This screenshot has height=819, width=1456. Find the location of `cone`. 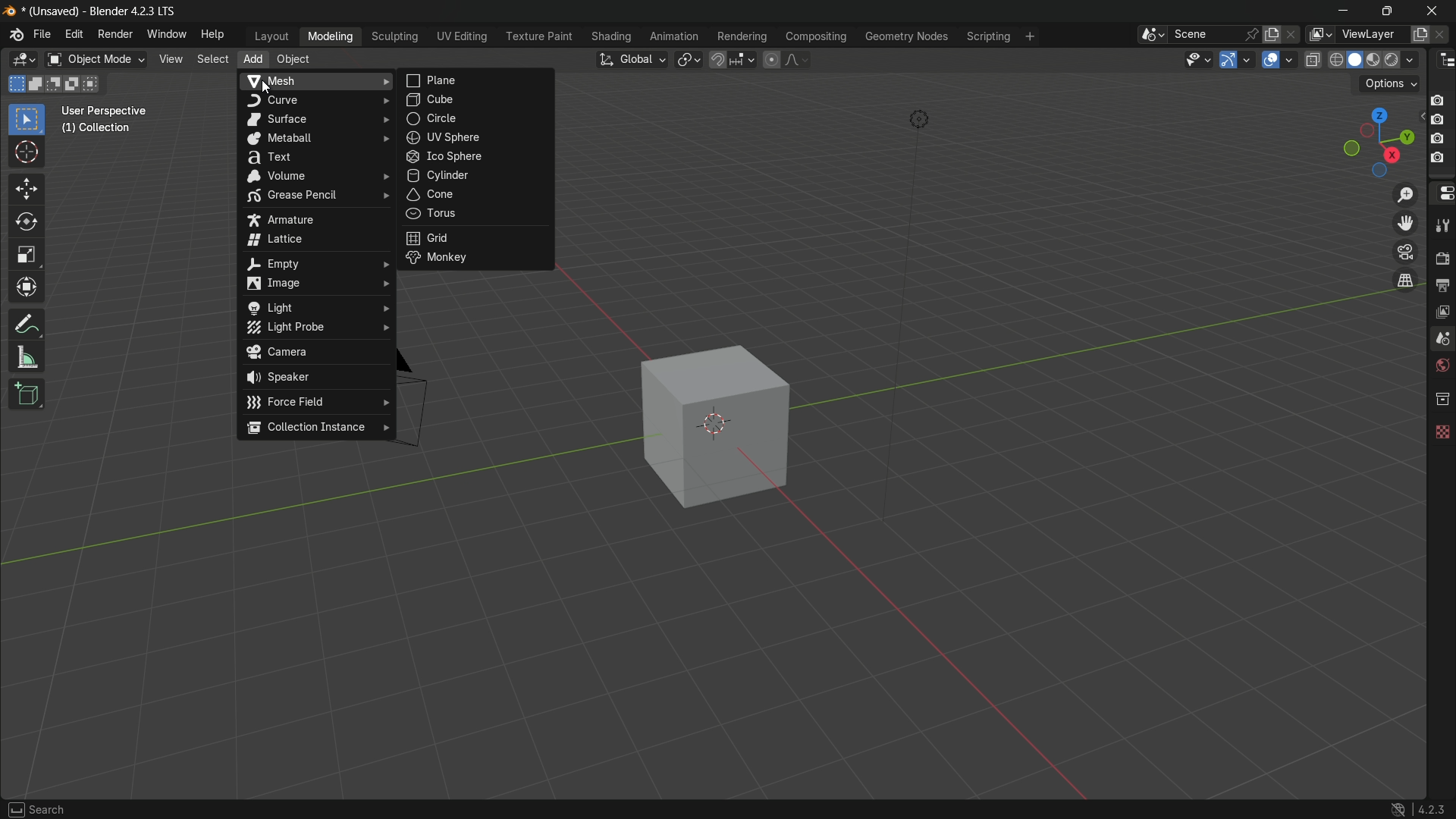

cone is located at coordinates (479, 196).